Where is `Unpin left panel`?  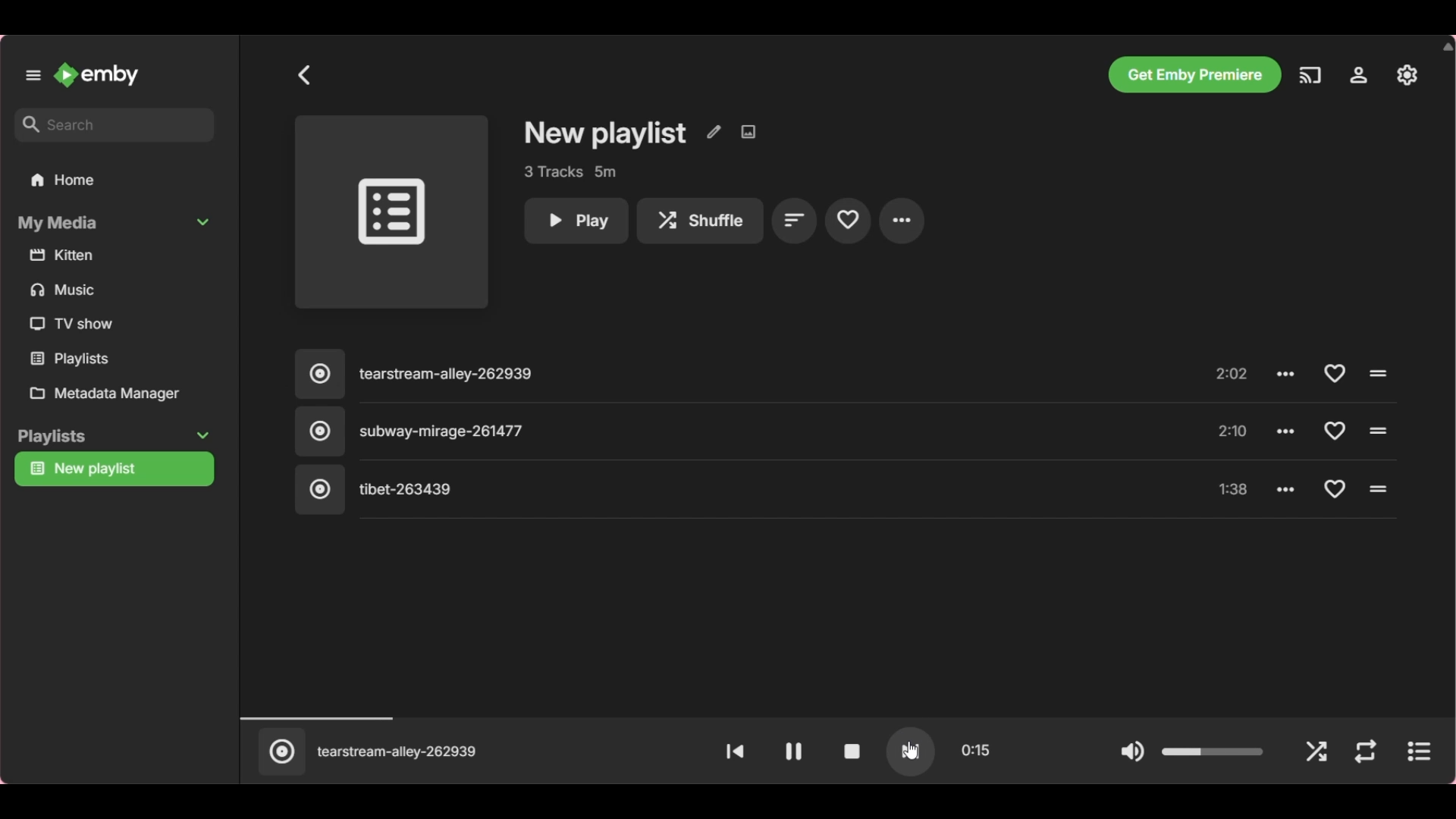
Unpin left panel is located at coordinates (33, 75).